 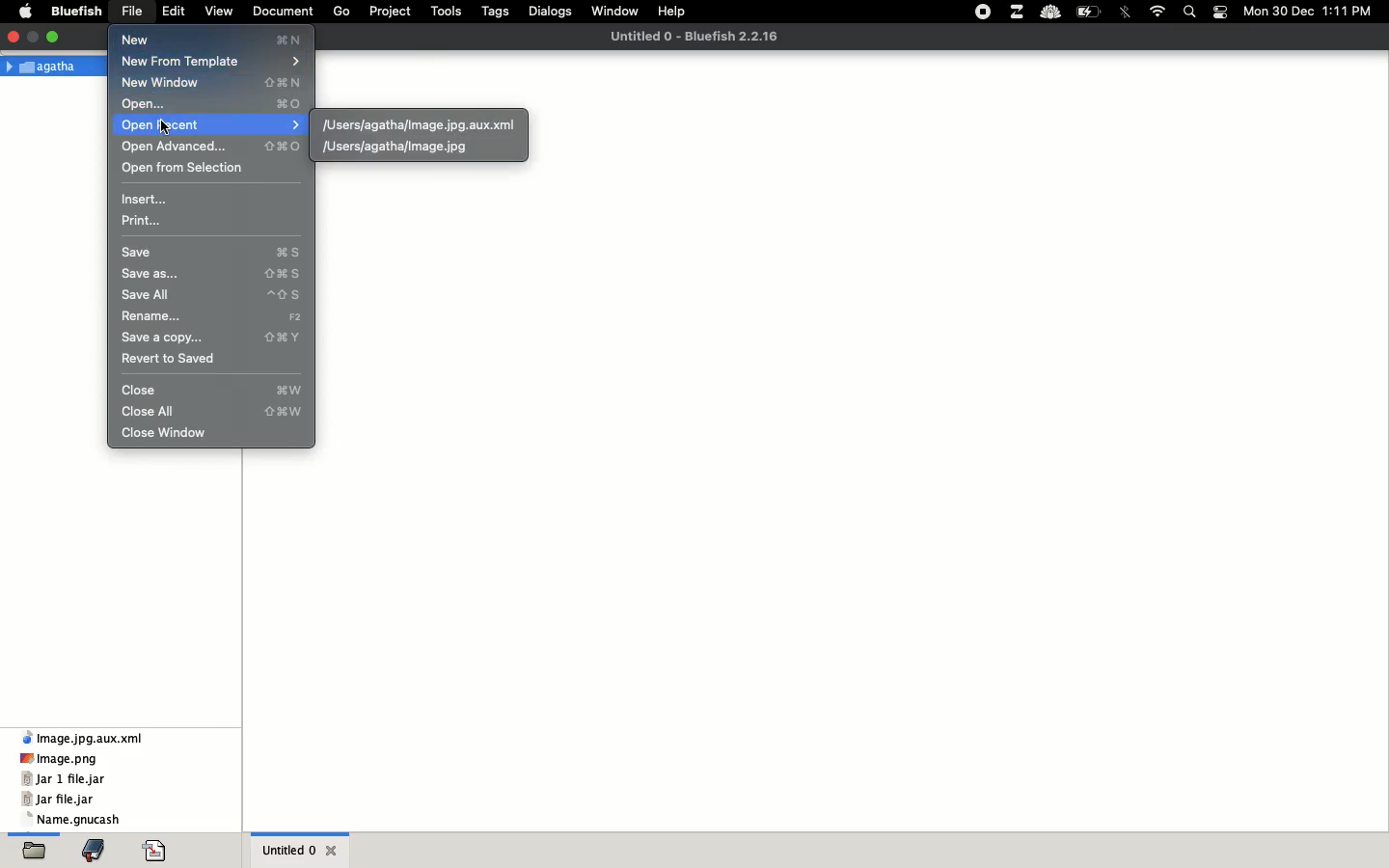 I want to click on coding, so click(x=160, y=852).